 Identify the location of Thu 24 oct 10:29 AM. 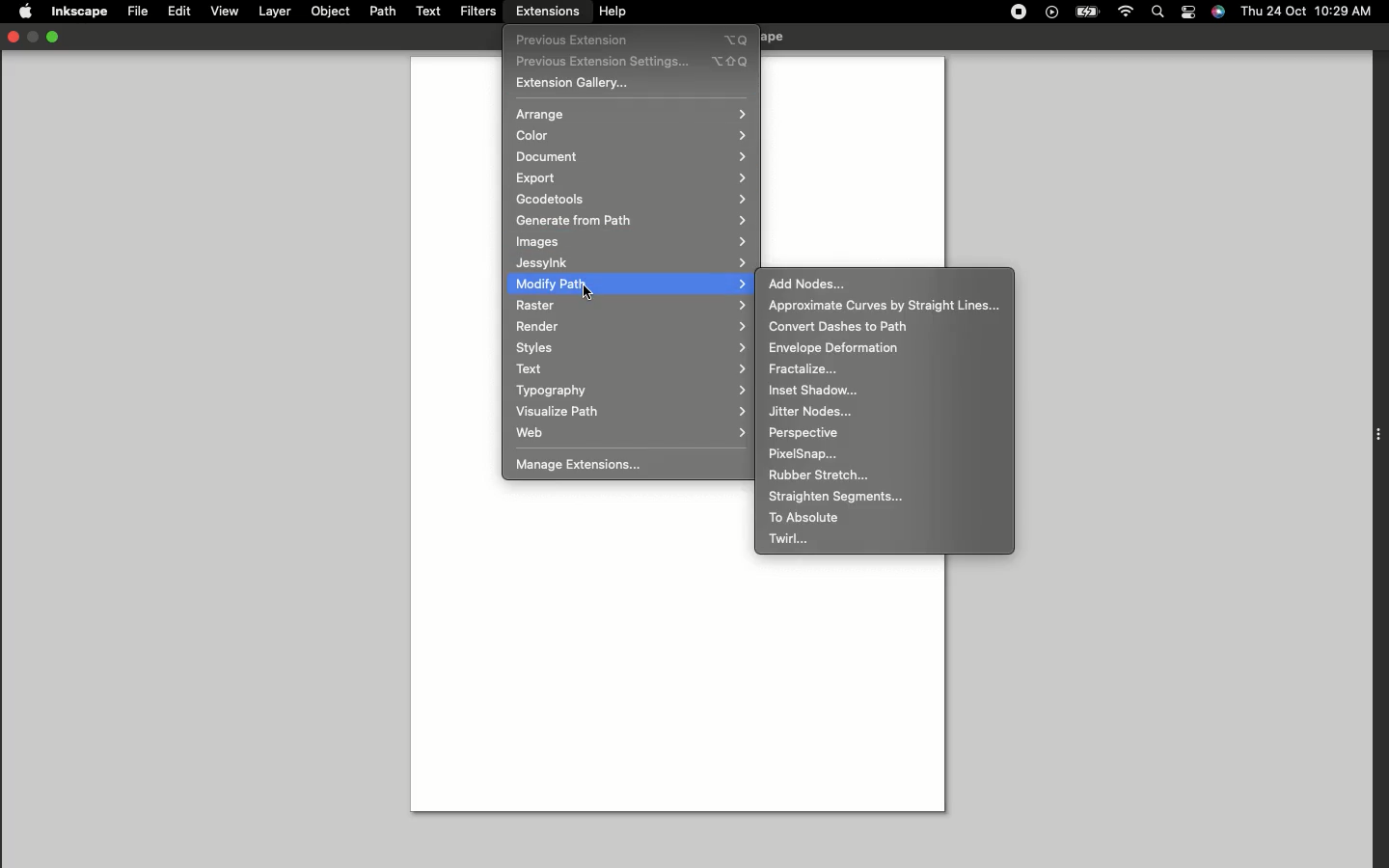
(1307, 12).